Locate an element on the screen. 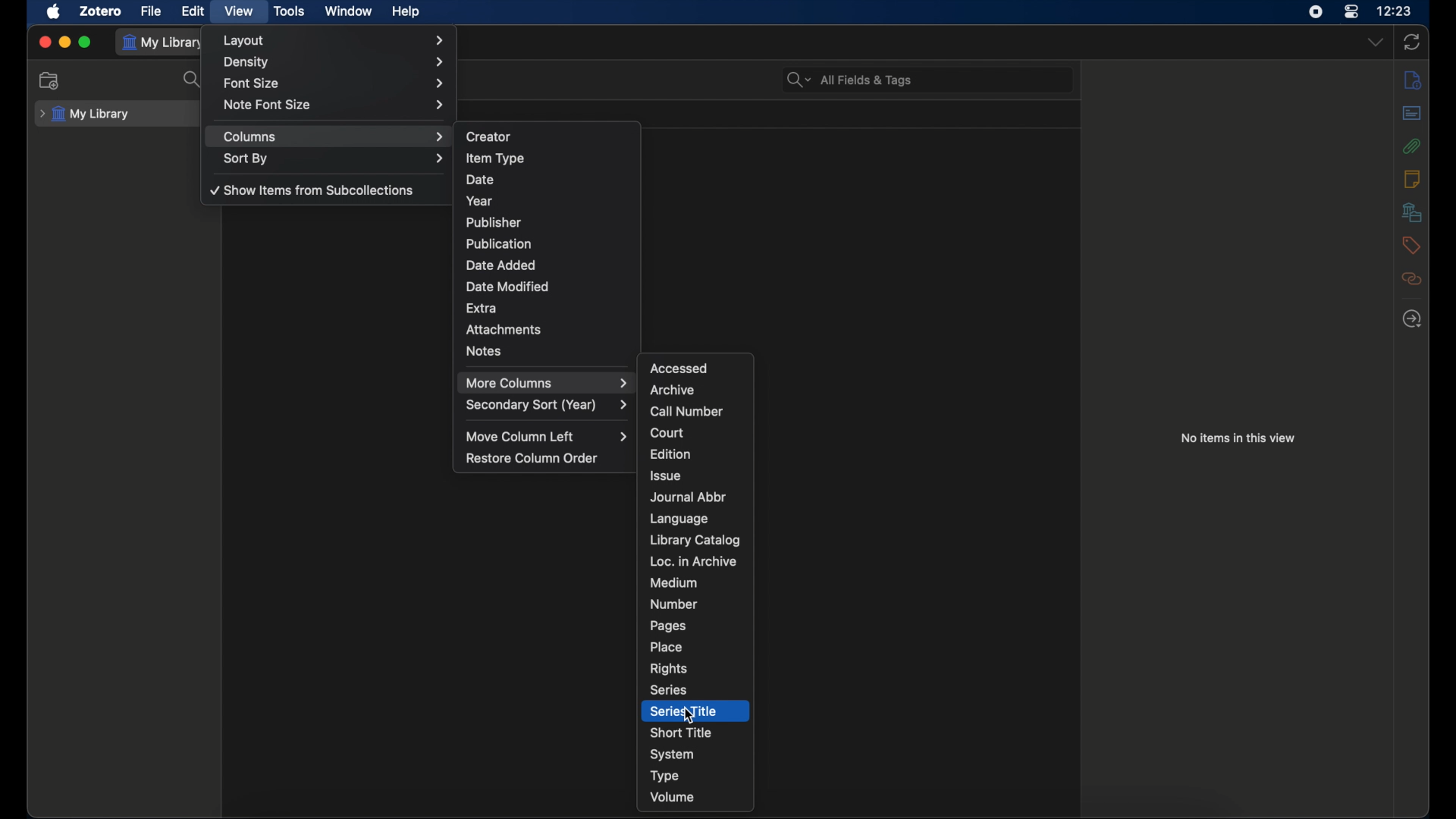 This screenshot has width=1456, height=819. series title is located at coordinates (683, 711).